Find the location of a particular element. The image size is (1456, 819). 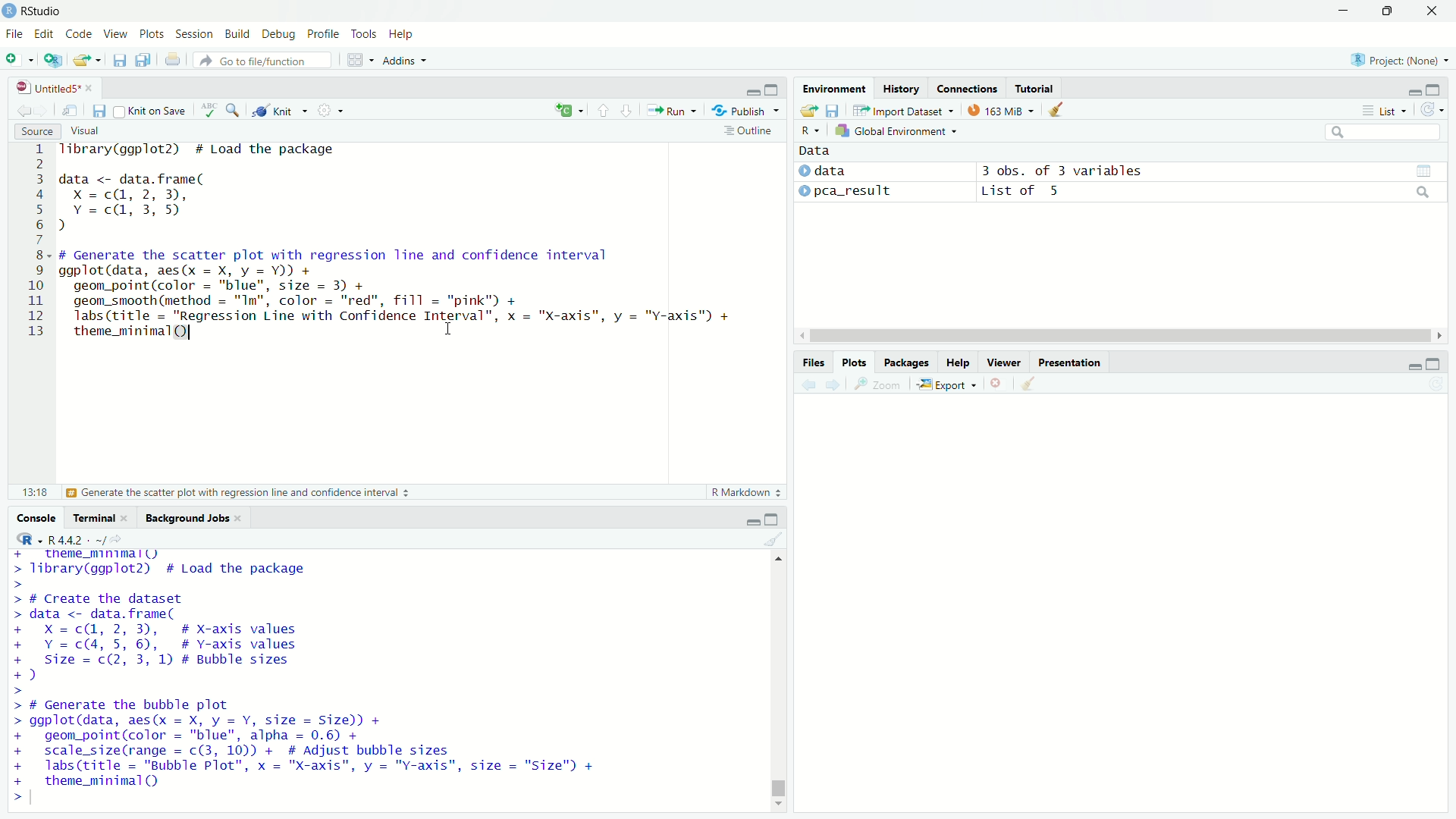

search is located at coordinates (1423, 193).